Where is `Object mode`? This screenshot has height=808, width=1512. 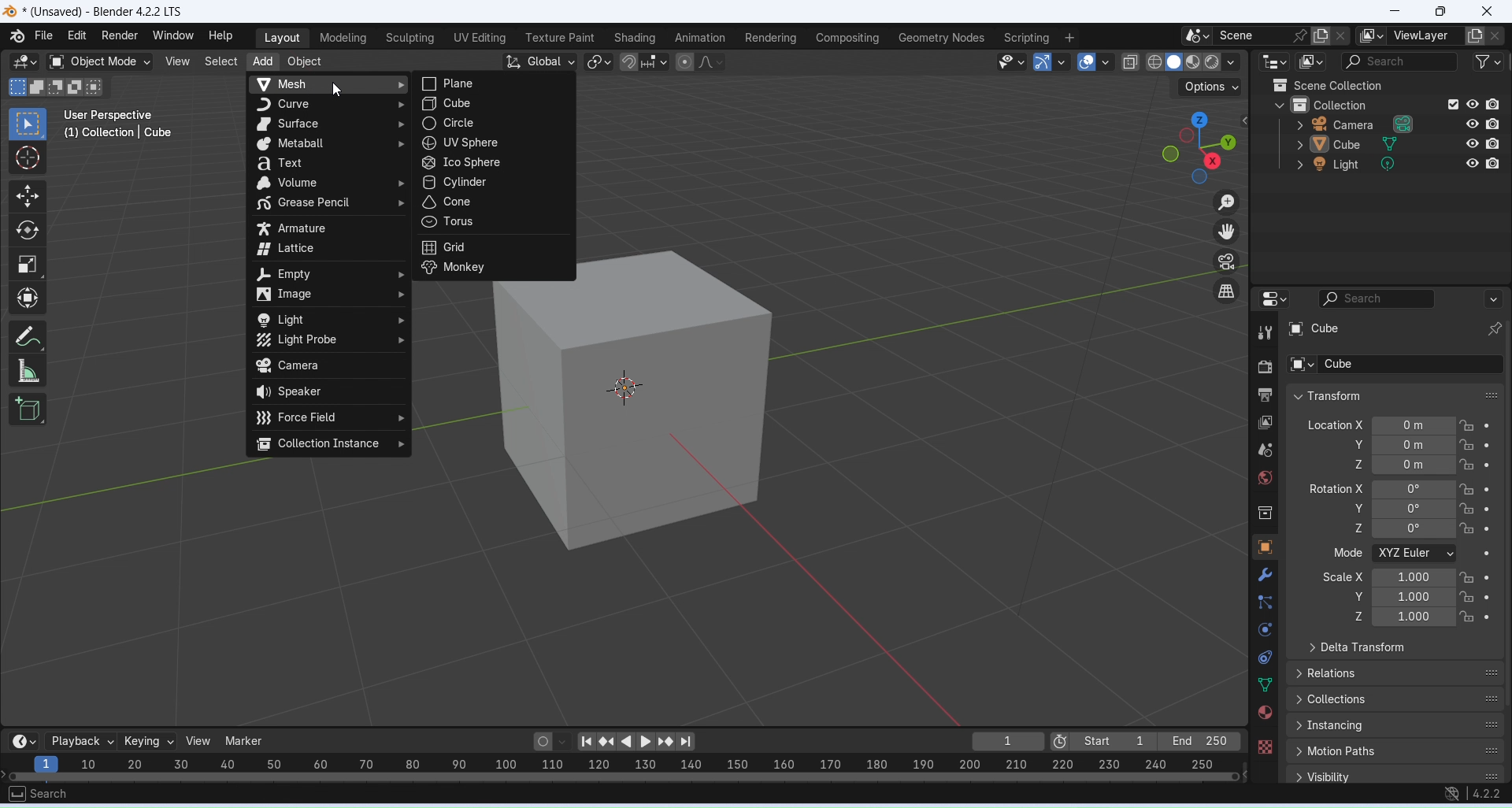
Object mode is located at coordinates (96, 61).